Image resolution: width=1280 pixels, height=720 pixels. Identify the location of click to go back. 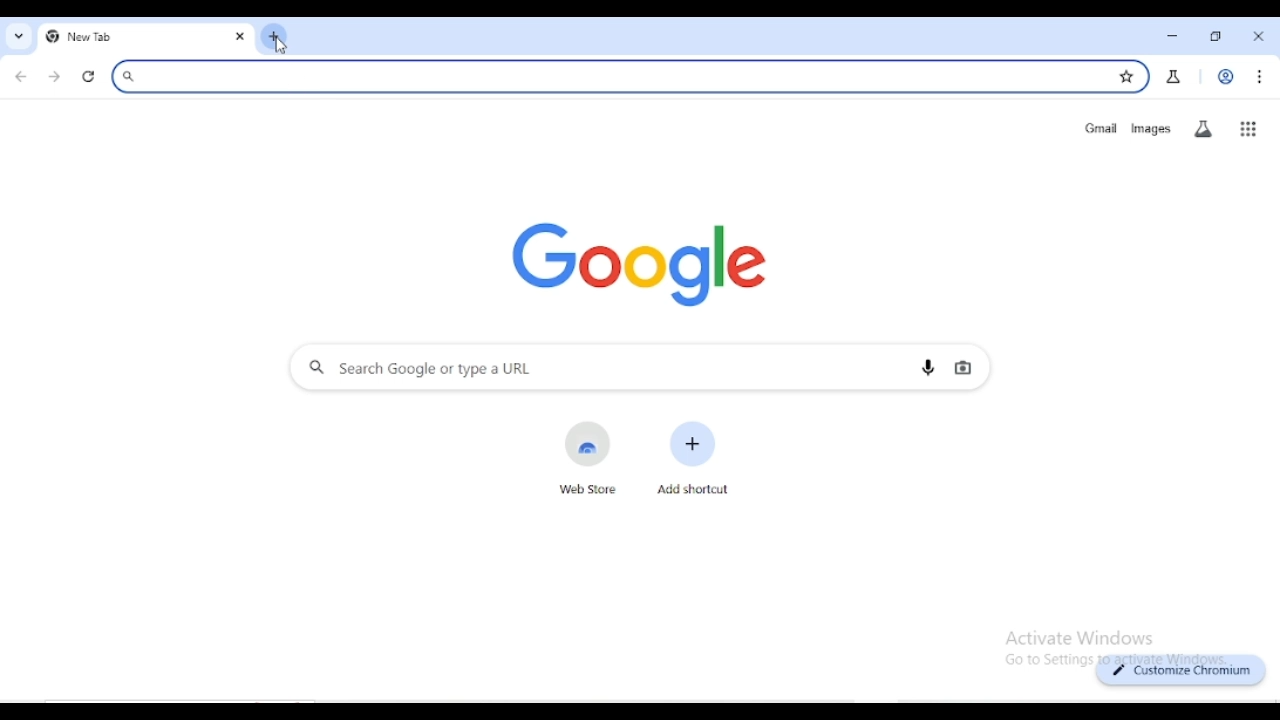
(22, 76).